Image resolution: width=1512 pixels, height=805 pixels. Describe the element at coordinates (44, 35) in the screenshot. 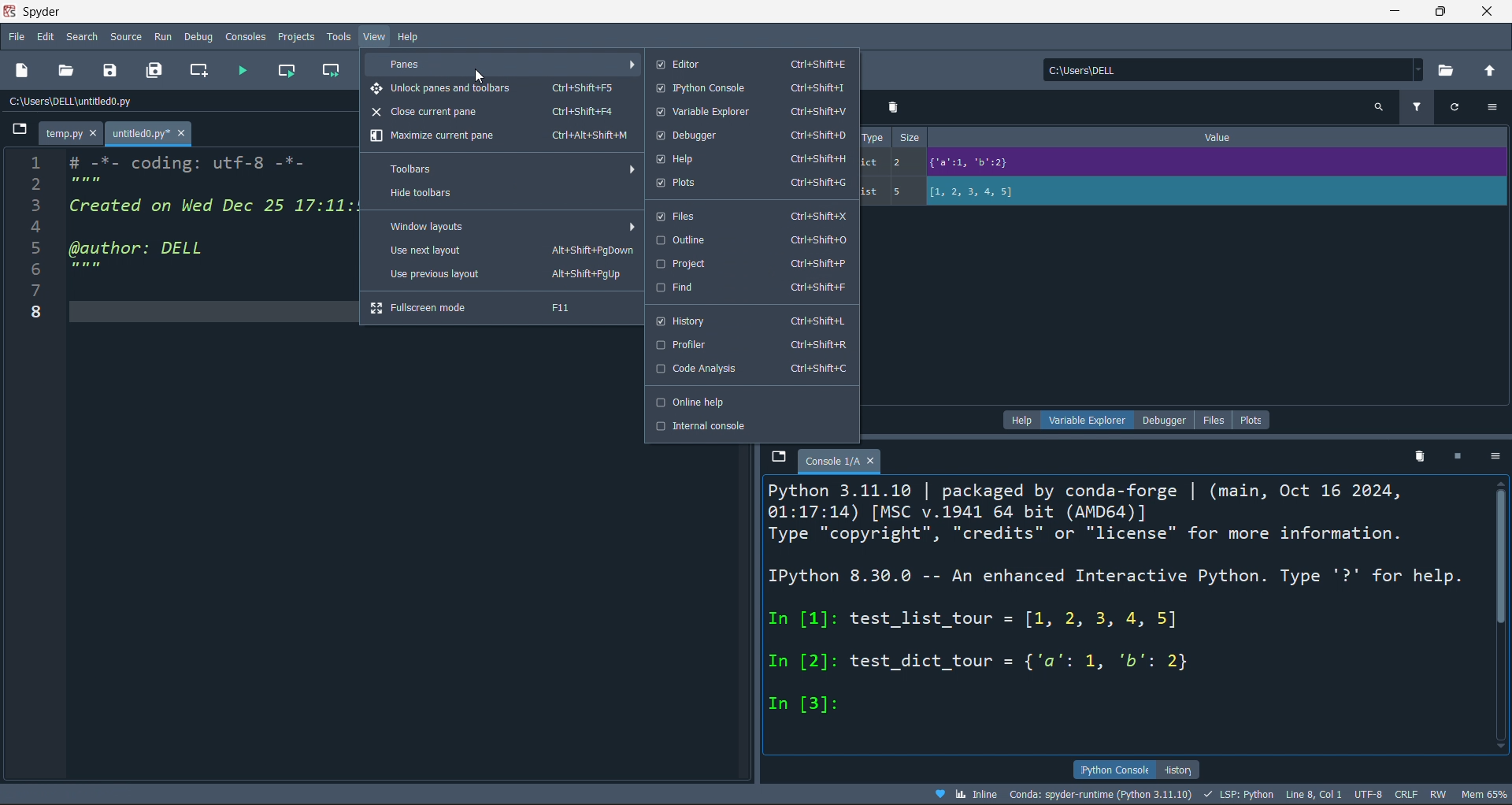

I see `edit` at that location.